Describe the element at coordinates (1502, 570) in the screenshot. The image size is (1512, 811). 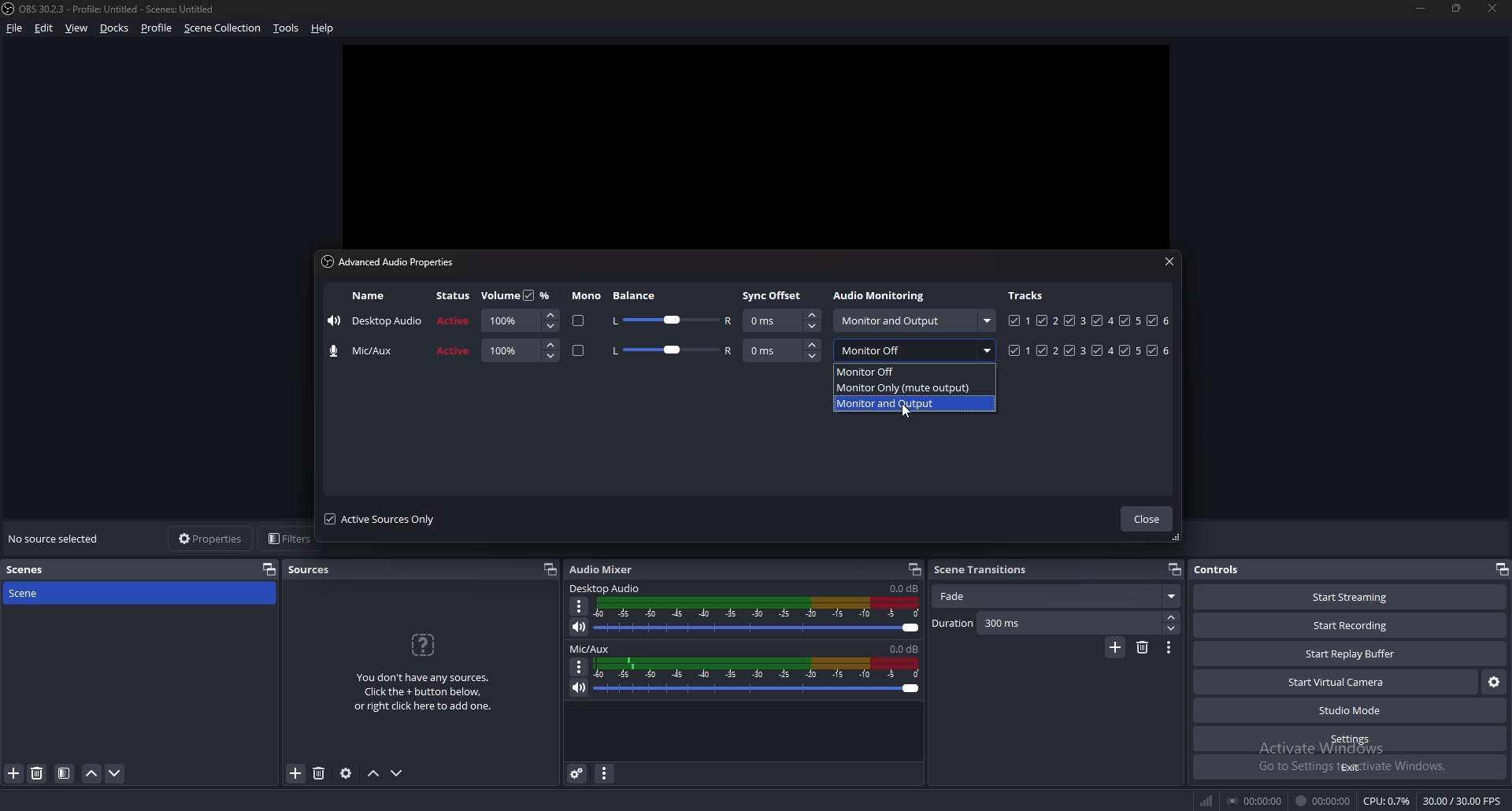
I see `pop out` at that location.